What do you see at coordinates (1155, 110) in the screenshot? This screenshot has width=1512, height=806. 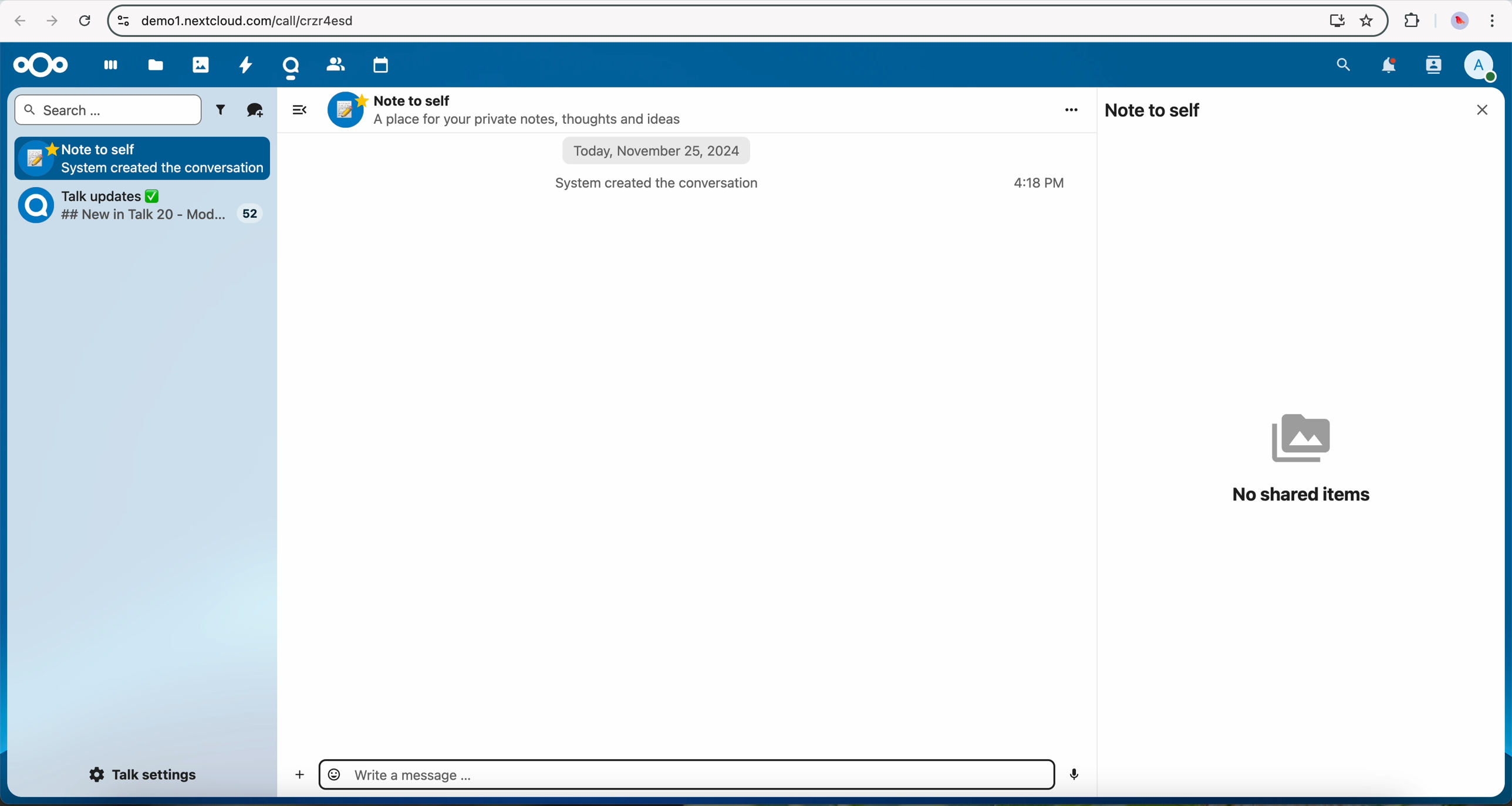 I see `note to self` at bounding box center [1155, 110].